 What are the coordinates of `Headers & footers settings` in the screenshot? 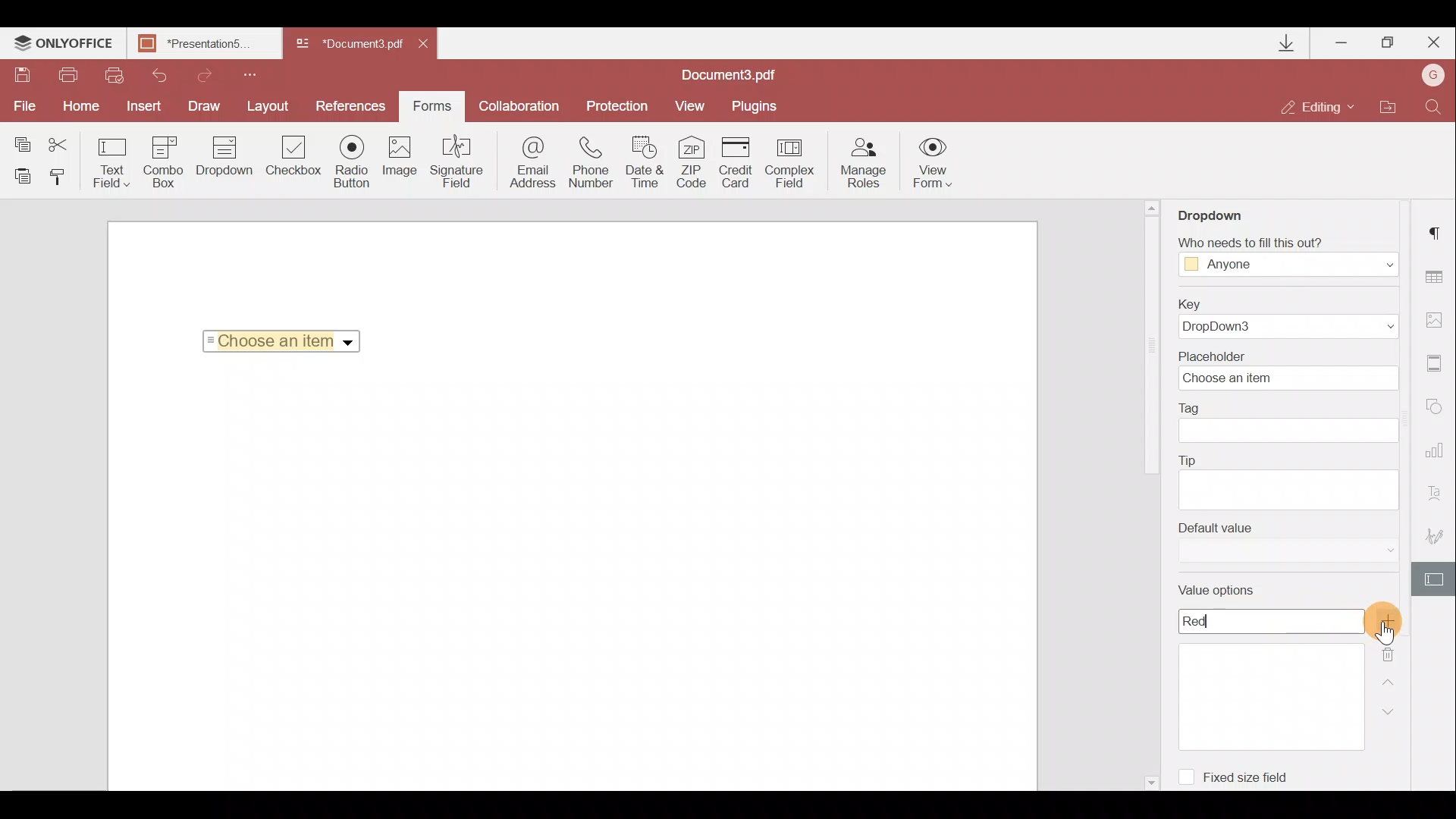 It's located at (1439, 364).